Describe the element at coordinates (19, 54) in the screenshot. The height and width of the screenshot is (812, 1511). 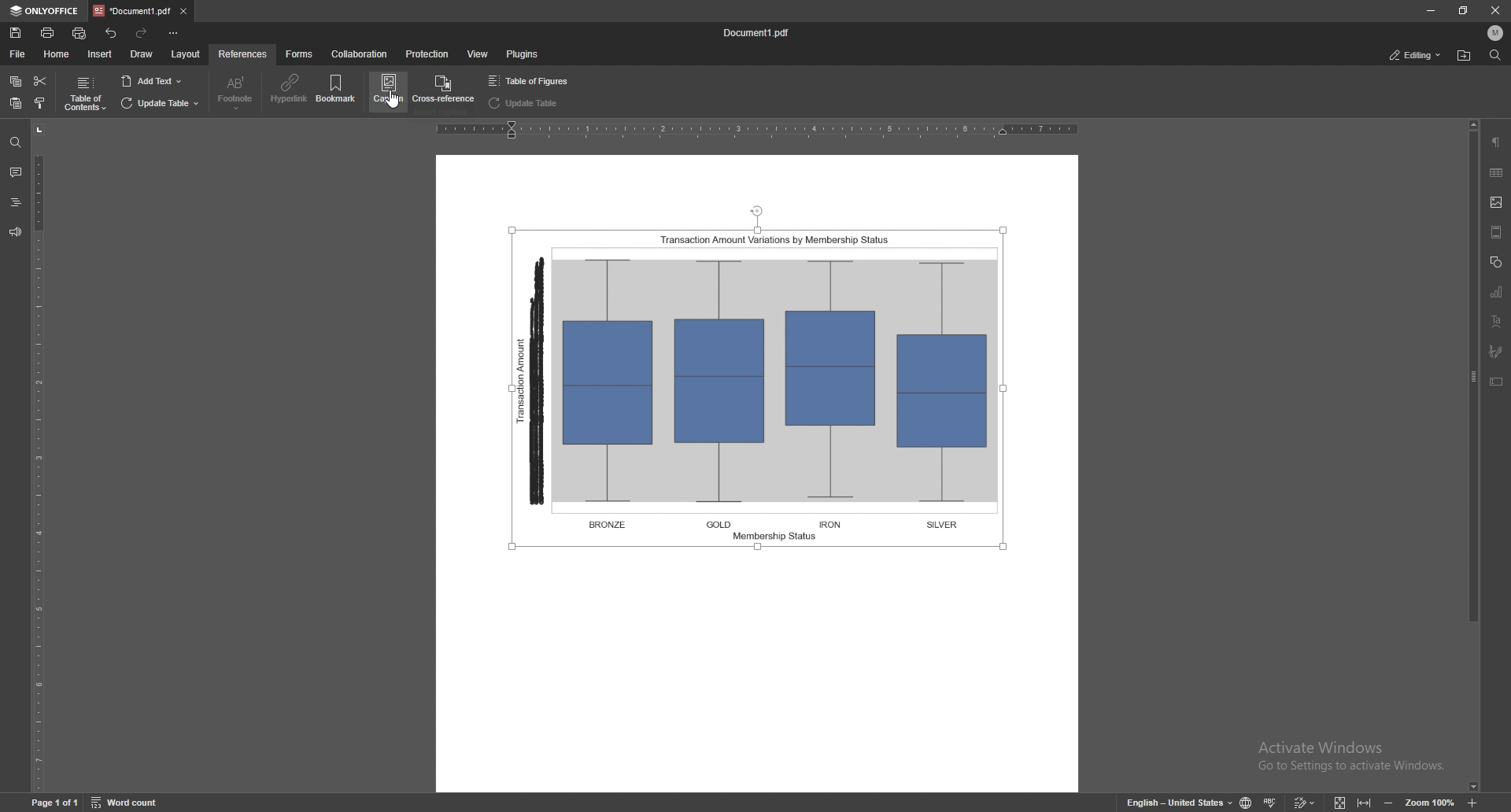
I see `file` at that location.